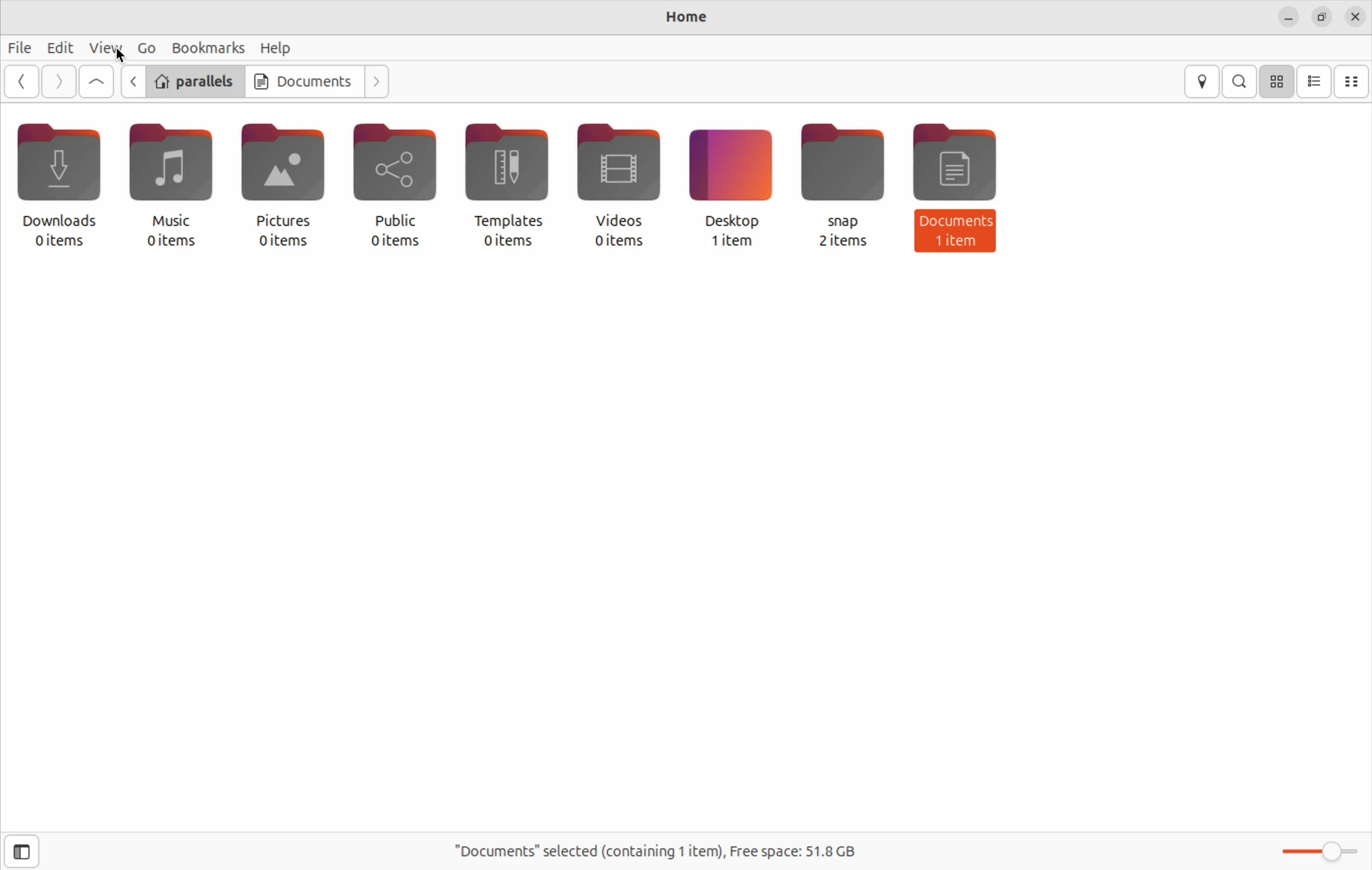 The height and width of the screenshot is (870, 1372). Describe the element at coordinates (56, 80) in the screenshot. I see `go next` at that location.